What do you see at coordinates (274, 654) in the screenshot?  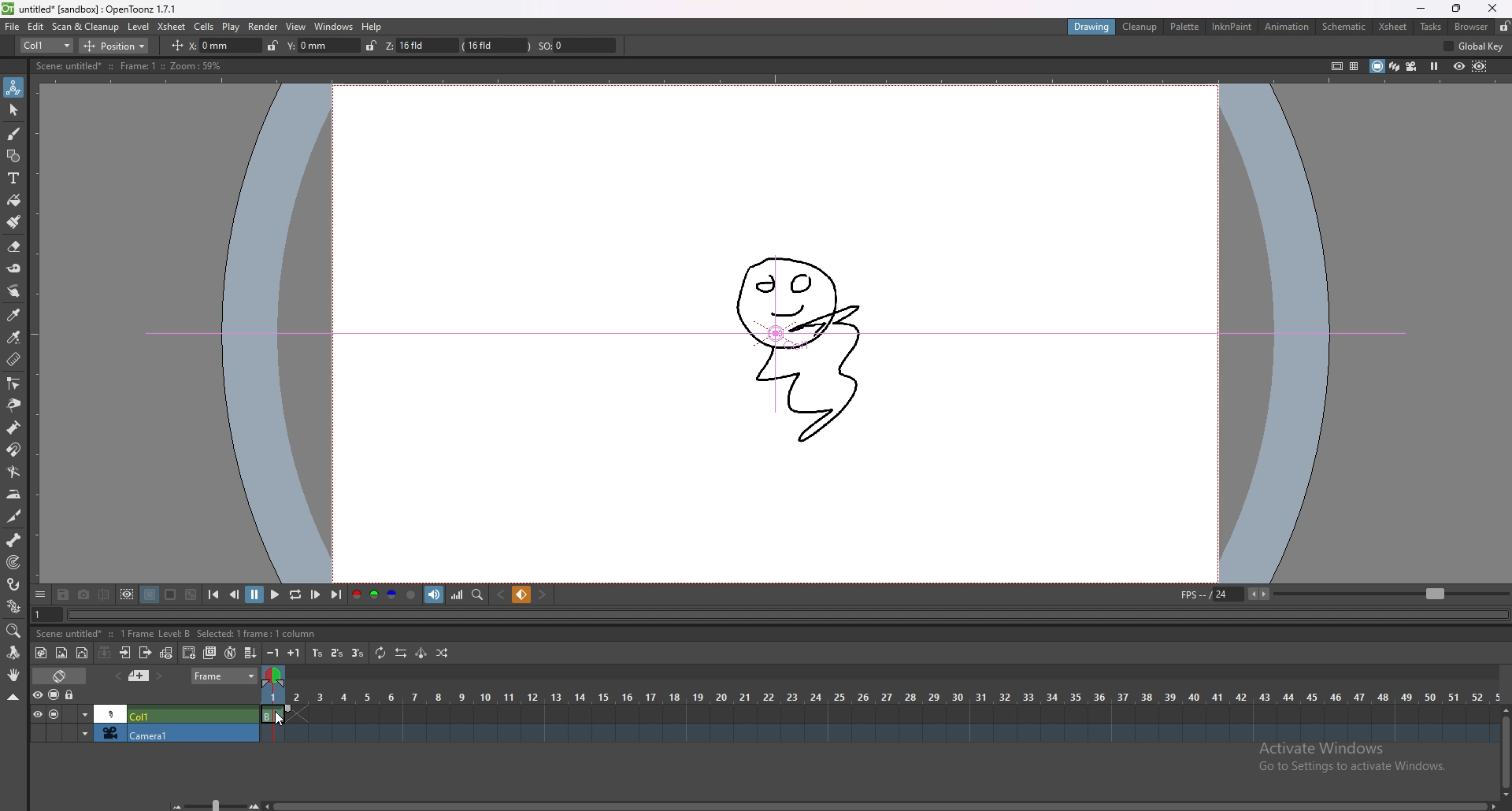 I see `decrease step` at bounding box center [274, 654].